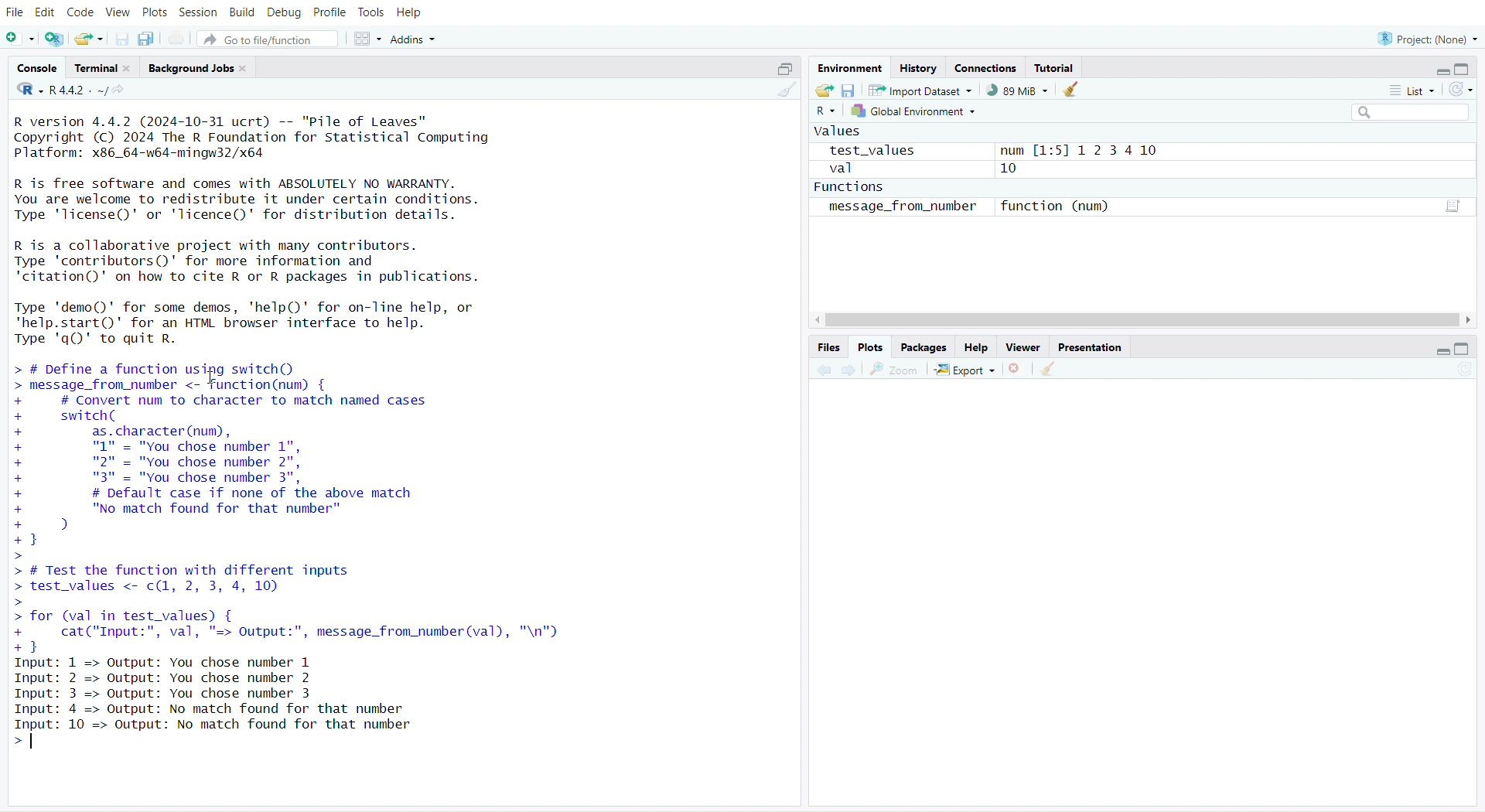 Image resolution: width=1485 pixels, height=812 pixels. What do you see at coordinates (213, 377) in the screenshot?
I see `Text cursor` at bounding box center [213, 377].